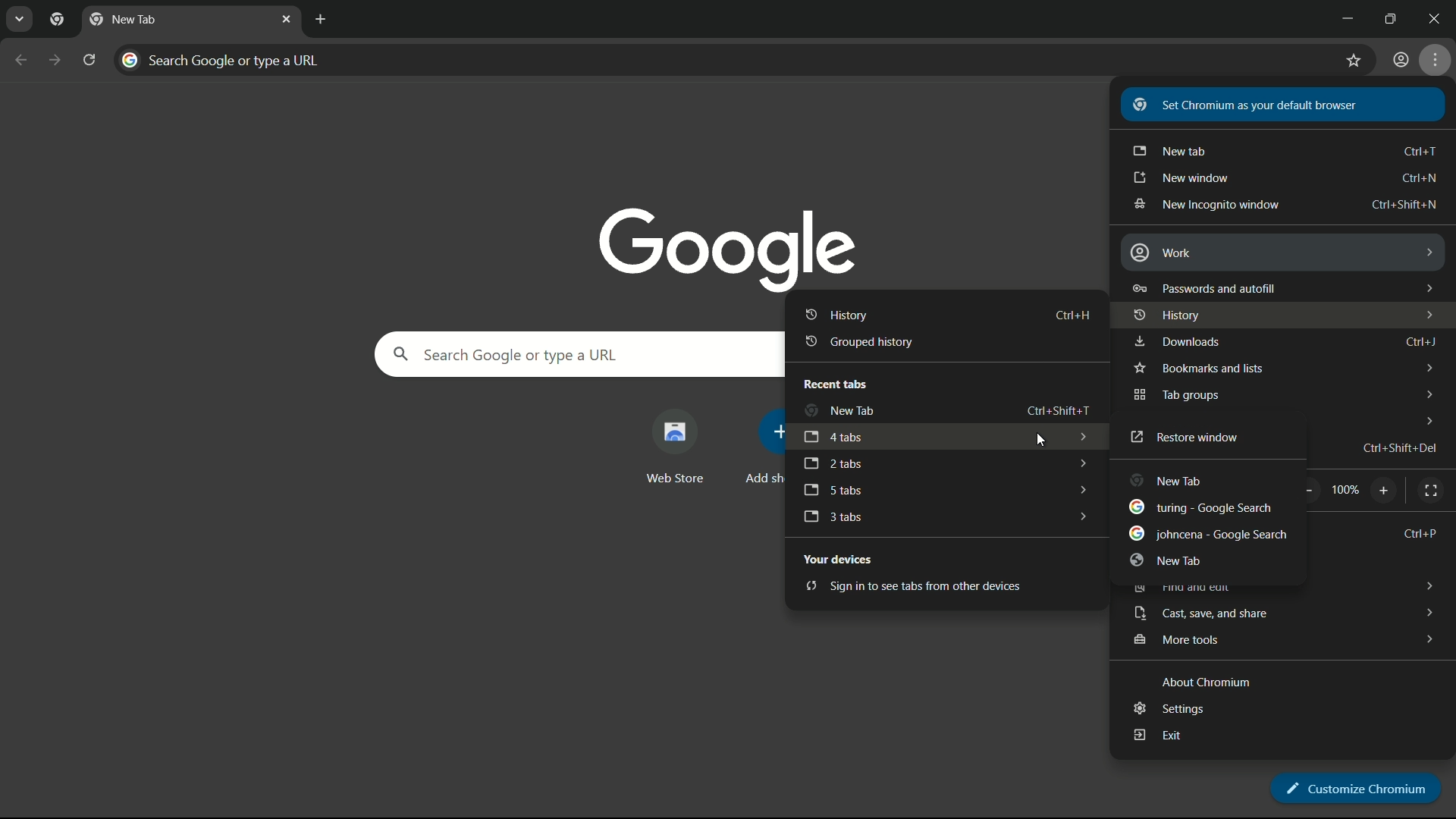  Describe the element at coordinates (1428, 582) in the screenshot. I see `dropdown arrows` at that location.